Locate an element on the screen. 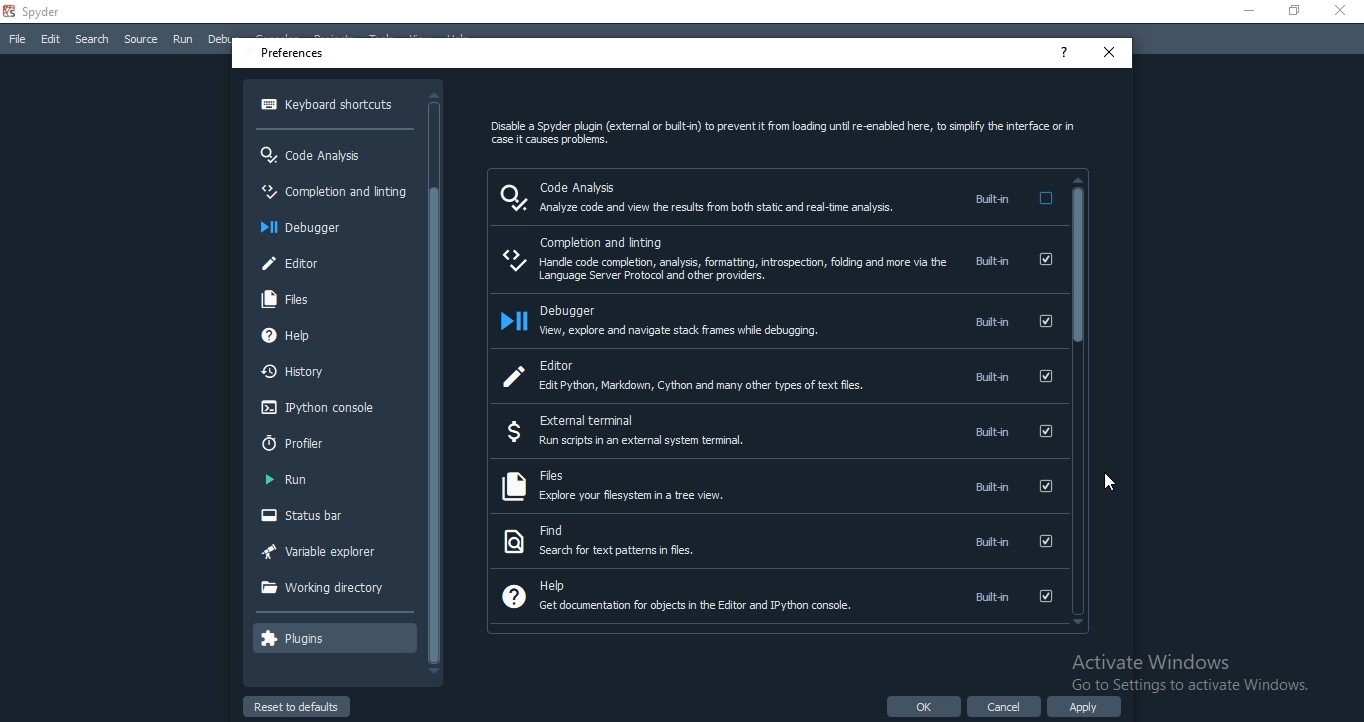  files is located at coordinates (774, 487).